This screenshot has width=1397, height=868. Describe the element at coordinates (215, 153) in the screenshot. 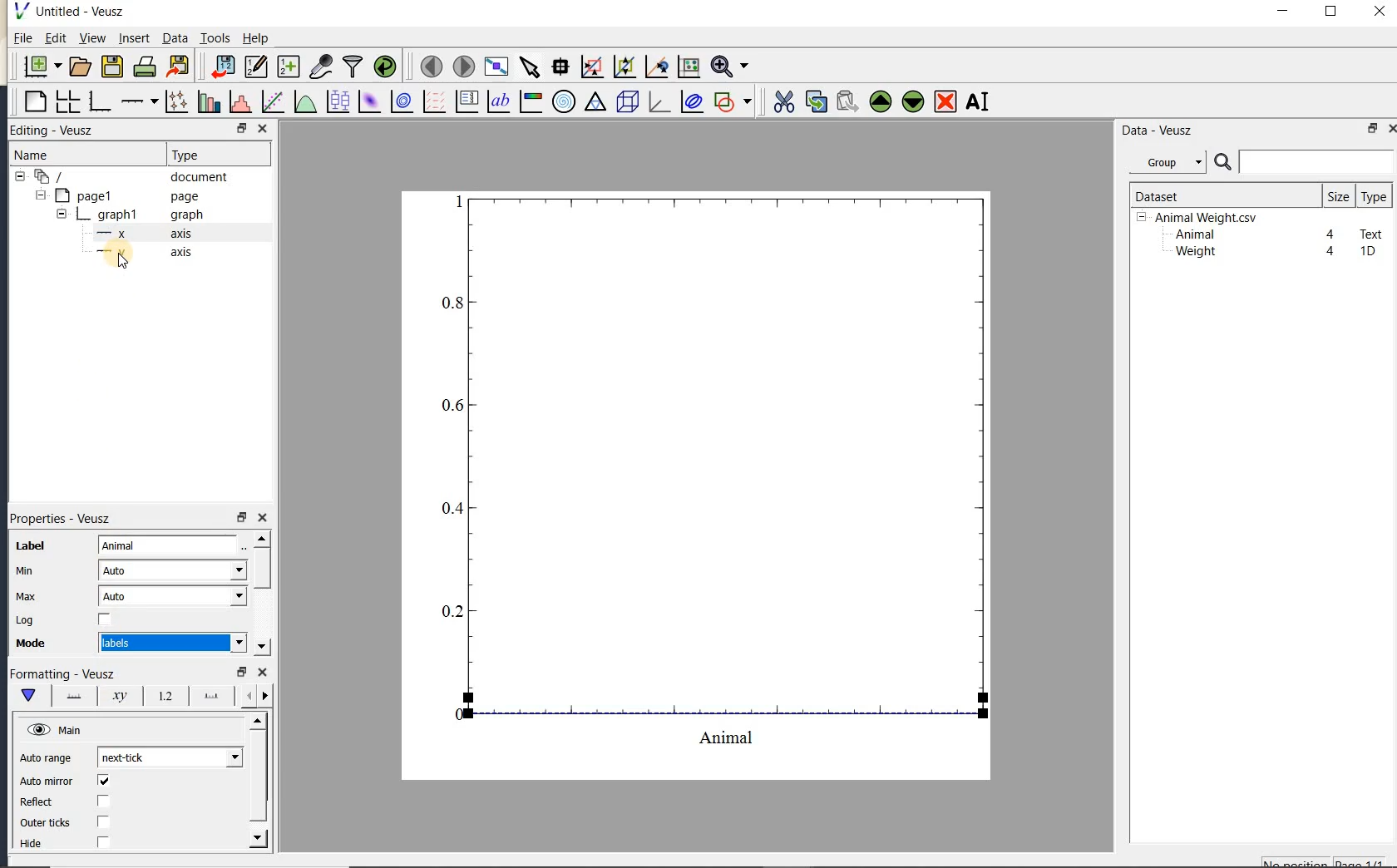

I see `Type` at that location.